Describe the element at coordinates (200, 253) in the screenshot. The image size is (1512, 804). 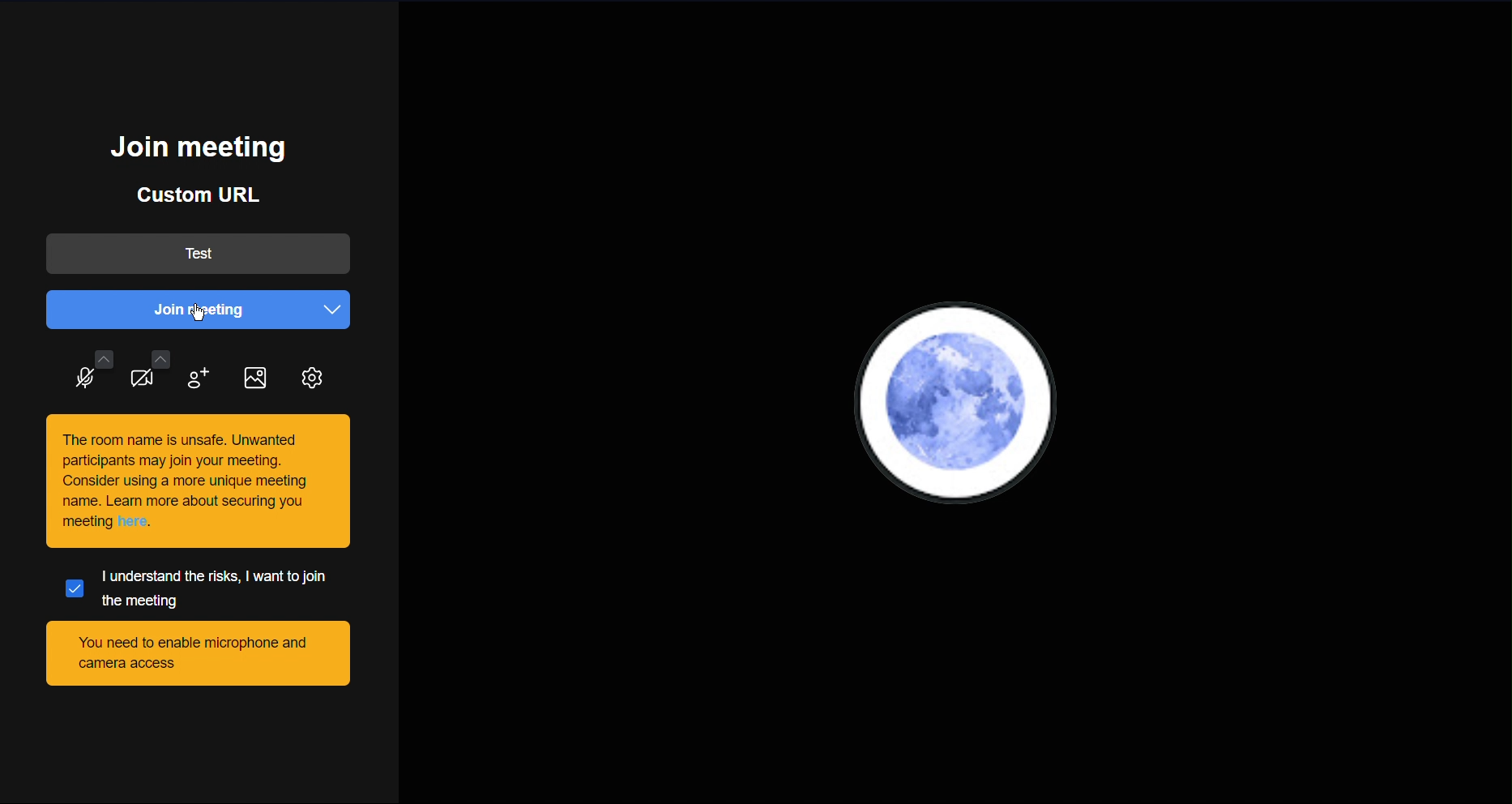
I see `Test` at that location.